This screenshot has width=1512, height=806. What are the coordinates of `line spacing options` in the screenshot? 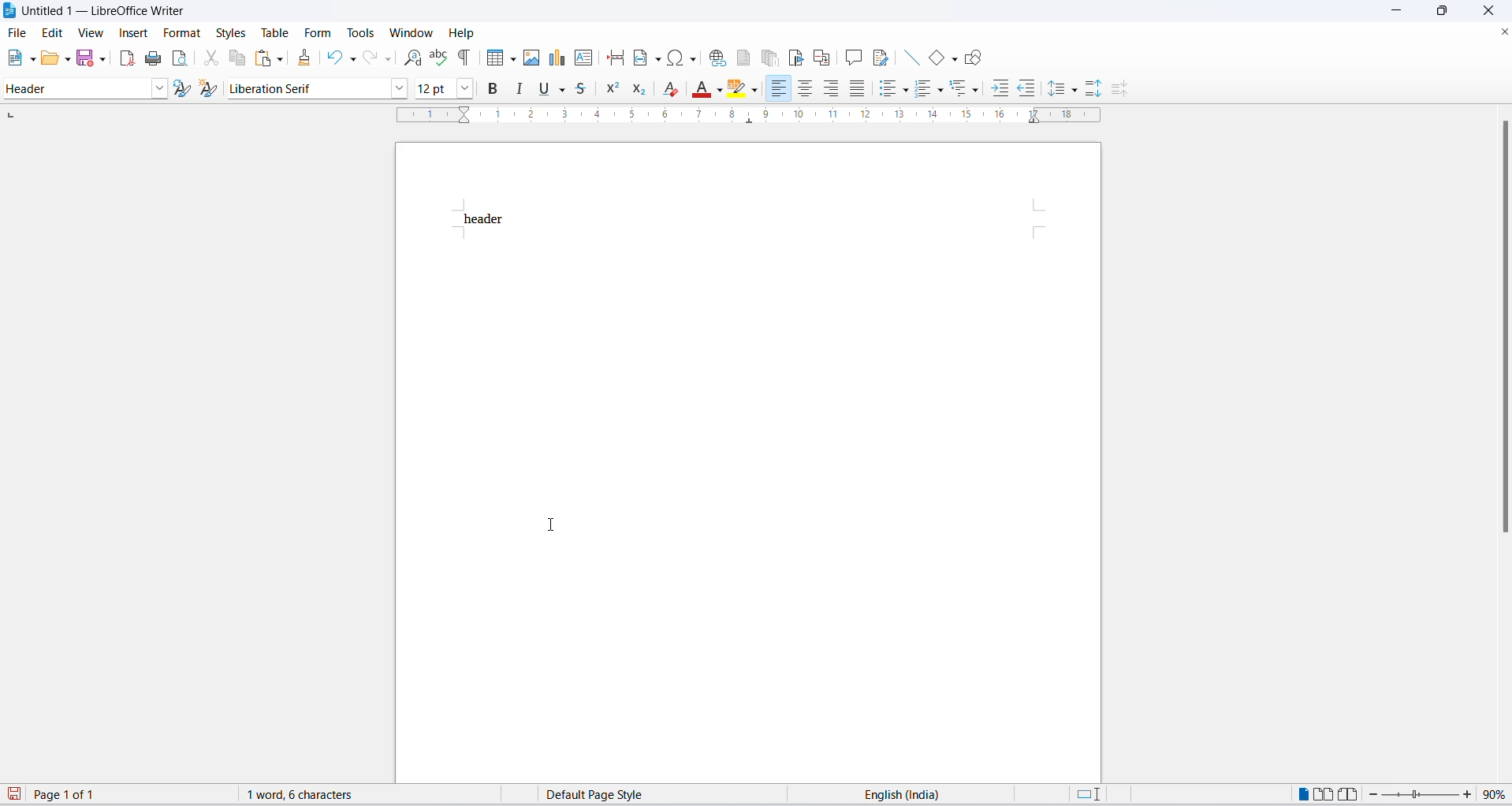 It's located at (1077, 93).